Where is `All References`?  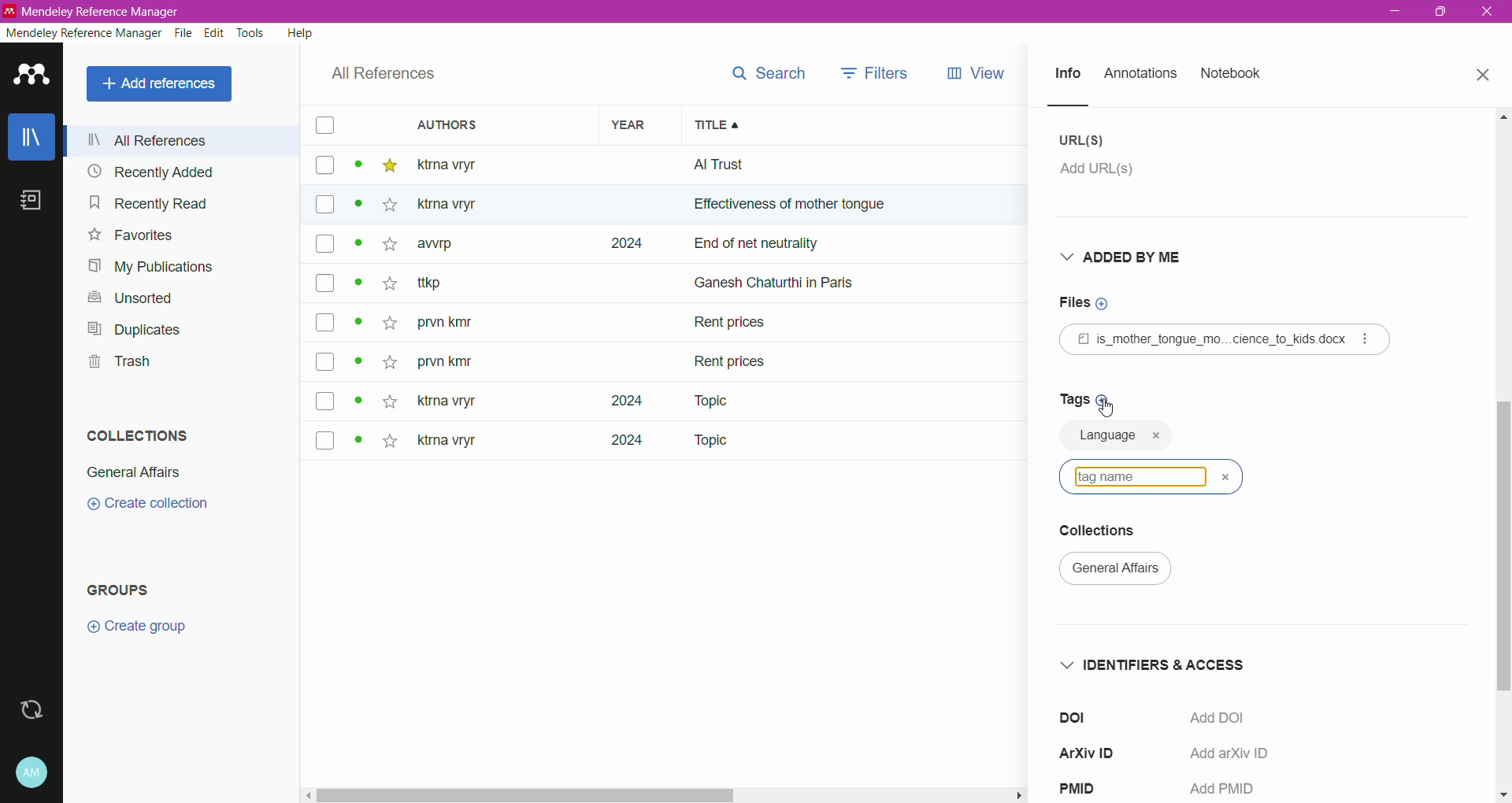
All References is located at coordinates (183, 140).